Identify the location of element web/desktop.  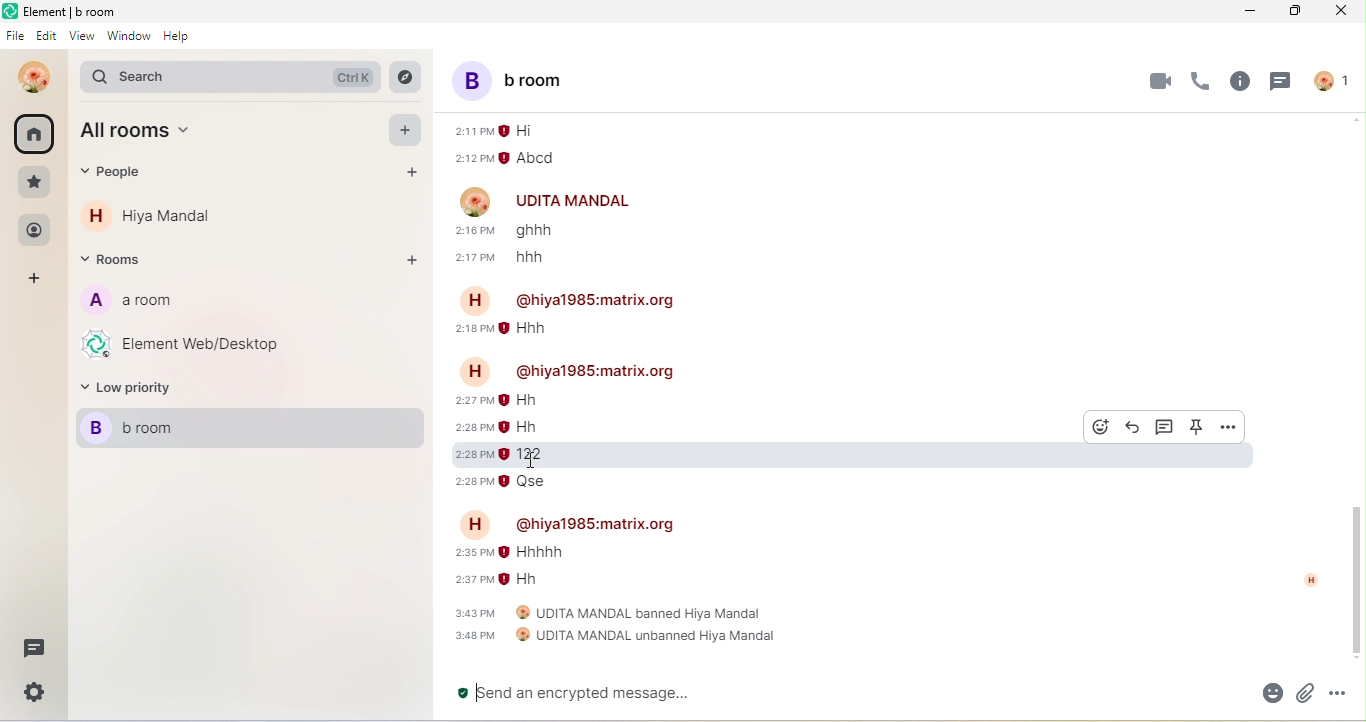
(195, 346).